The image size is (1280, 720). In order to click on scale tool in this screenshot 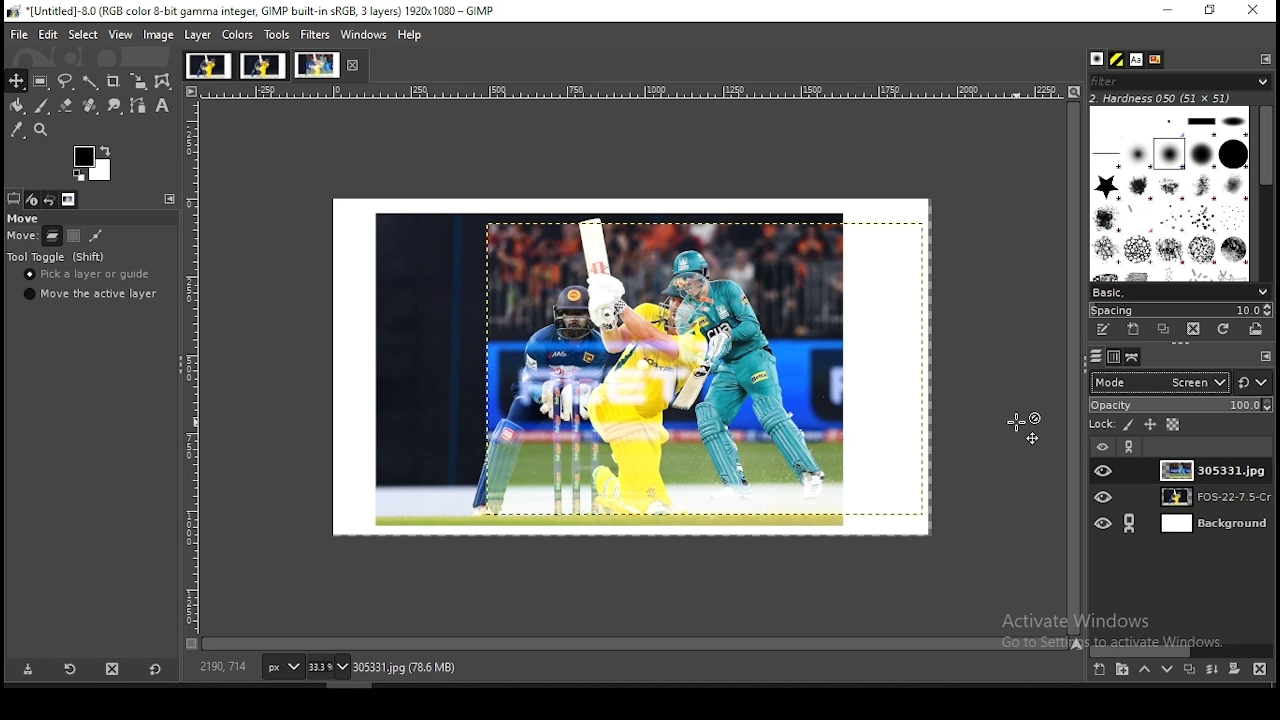, I will do `click(139, 81)`.